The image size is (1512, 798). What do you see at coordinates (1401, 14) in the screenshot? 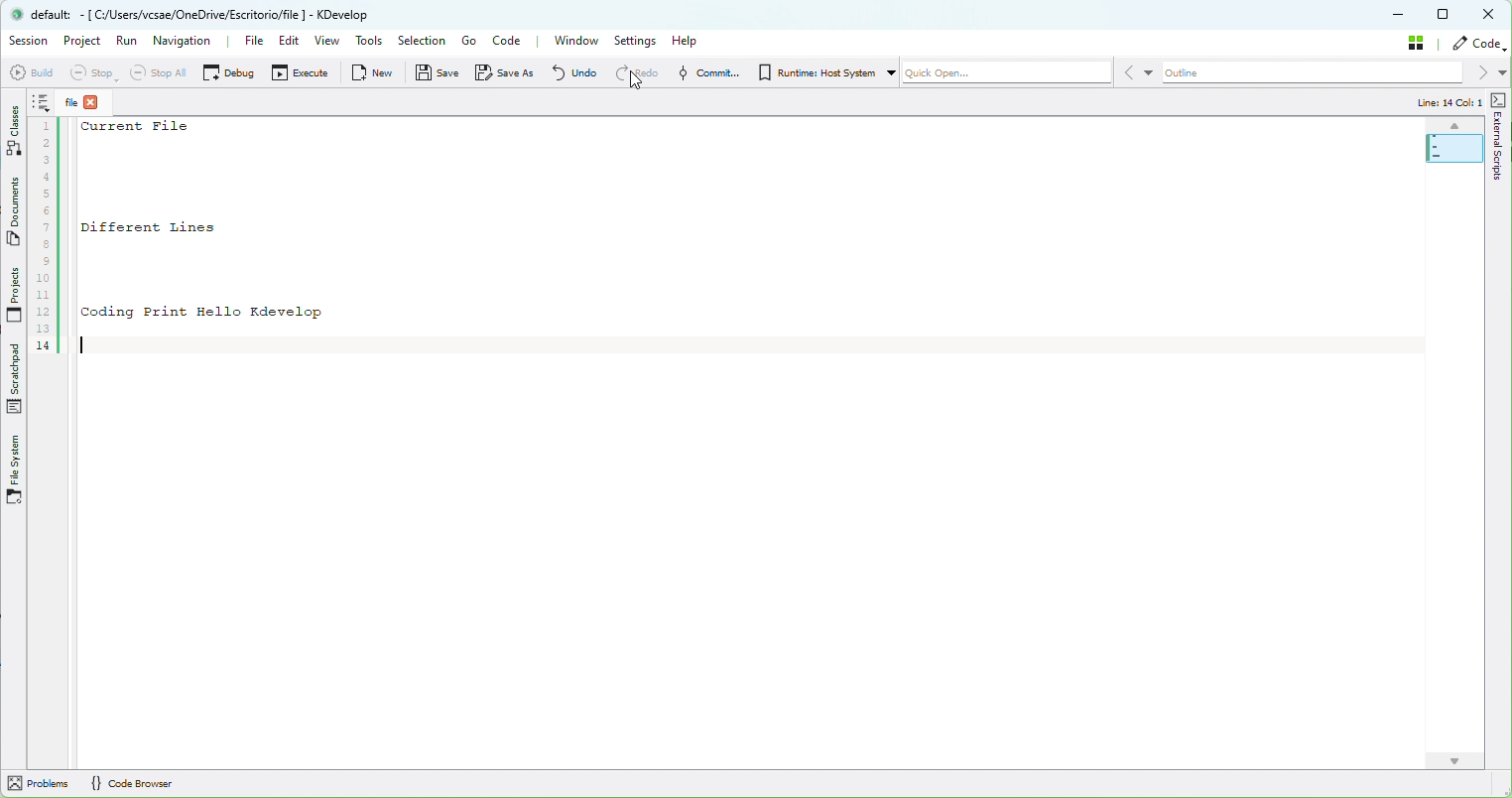
I see `Minimize` at bounding box center [1401, 14].